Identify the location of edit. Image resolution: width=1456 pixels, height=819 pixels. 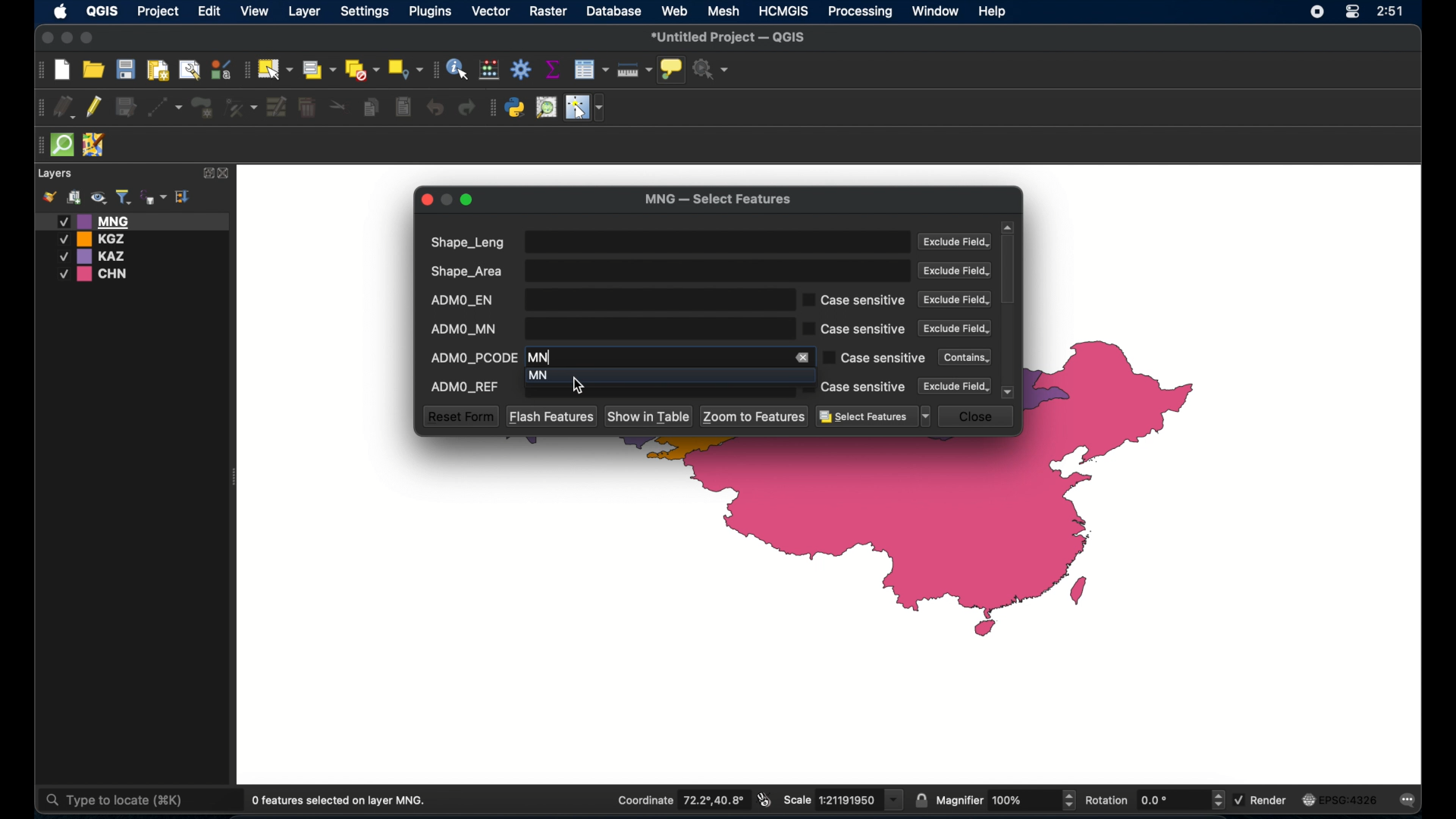
(209, 12).